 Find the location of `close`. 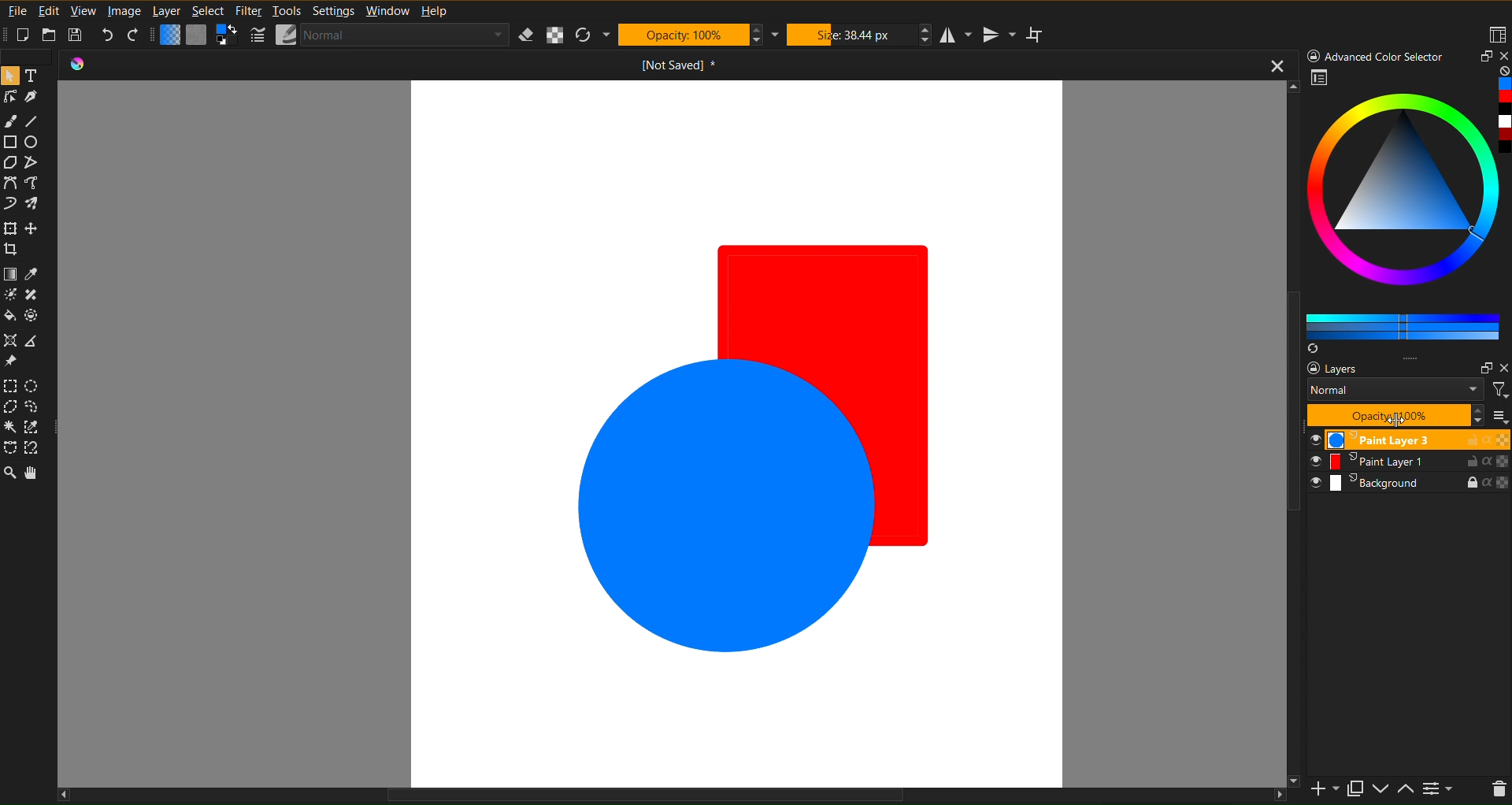

close is located at coordinates (1503, 367).